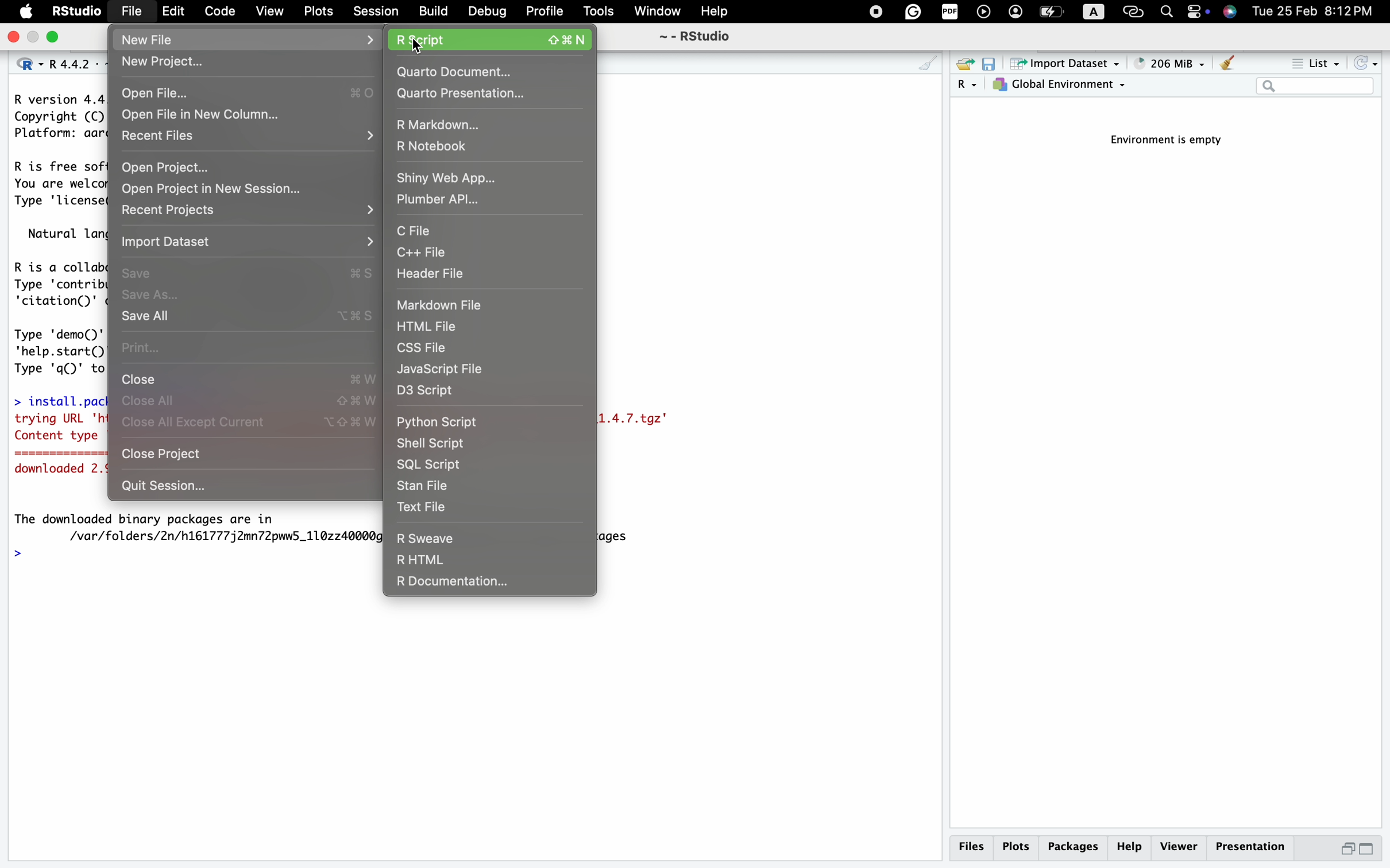 The height and width of the screenshot is (868, 1390). Describe the element at coordinates (1072, 849) in the screenshot. I see `packages` at that location.